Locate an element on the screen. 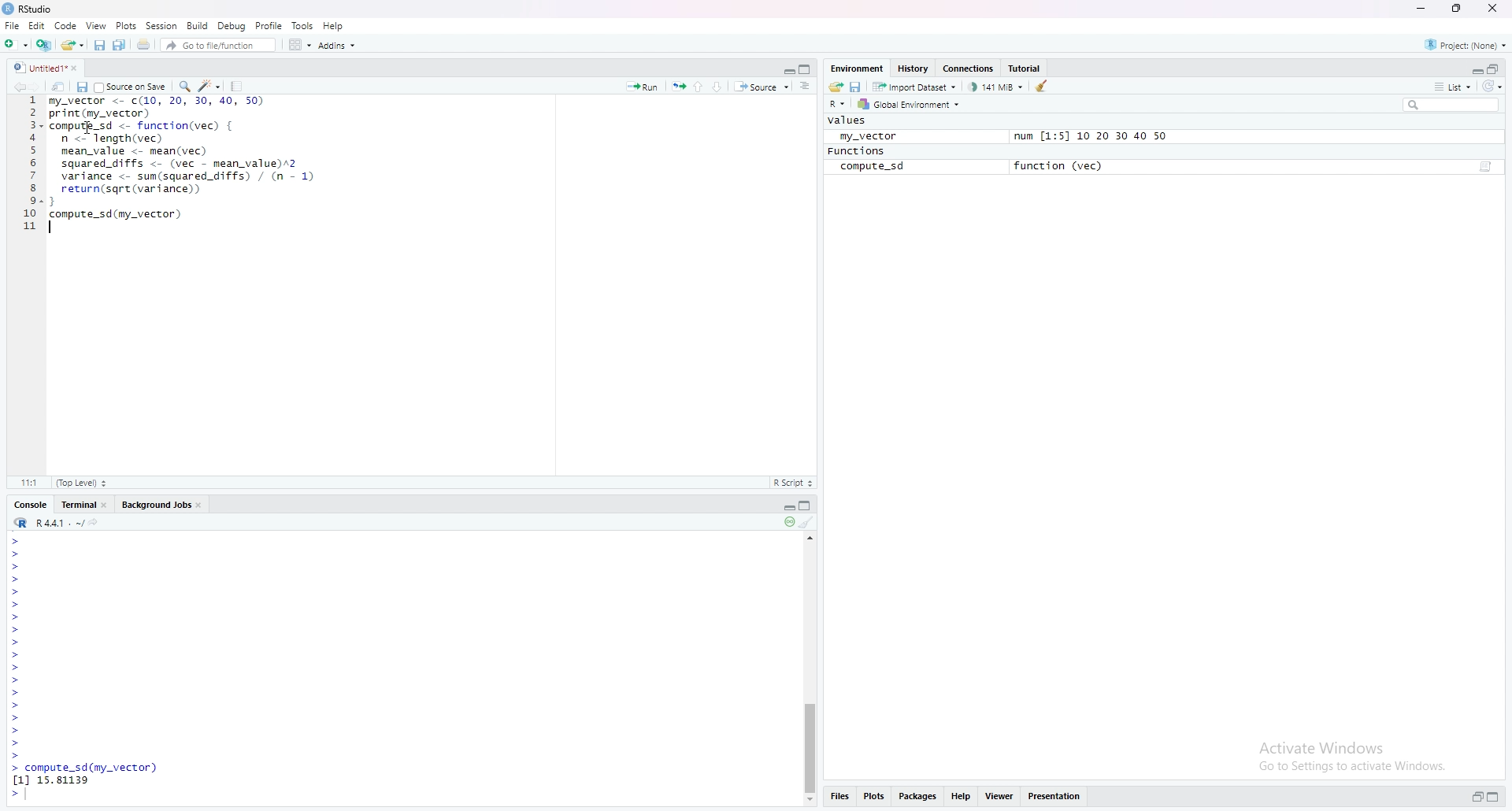  Go to file/function is located at coordinates (217, 44).